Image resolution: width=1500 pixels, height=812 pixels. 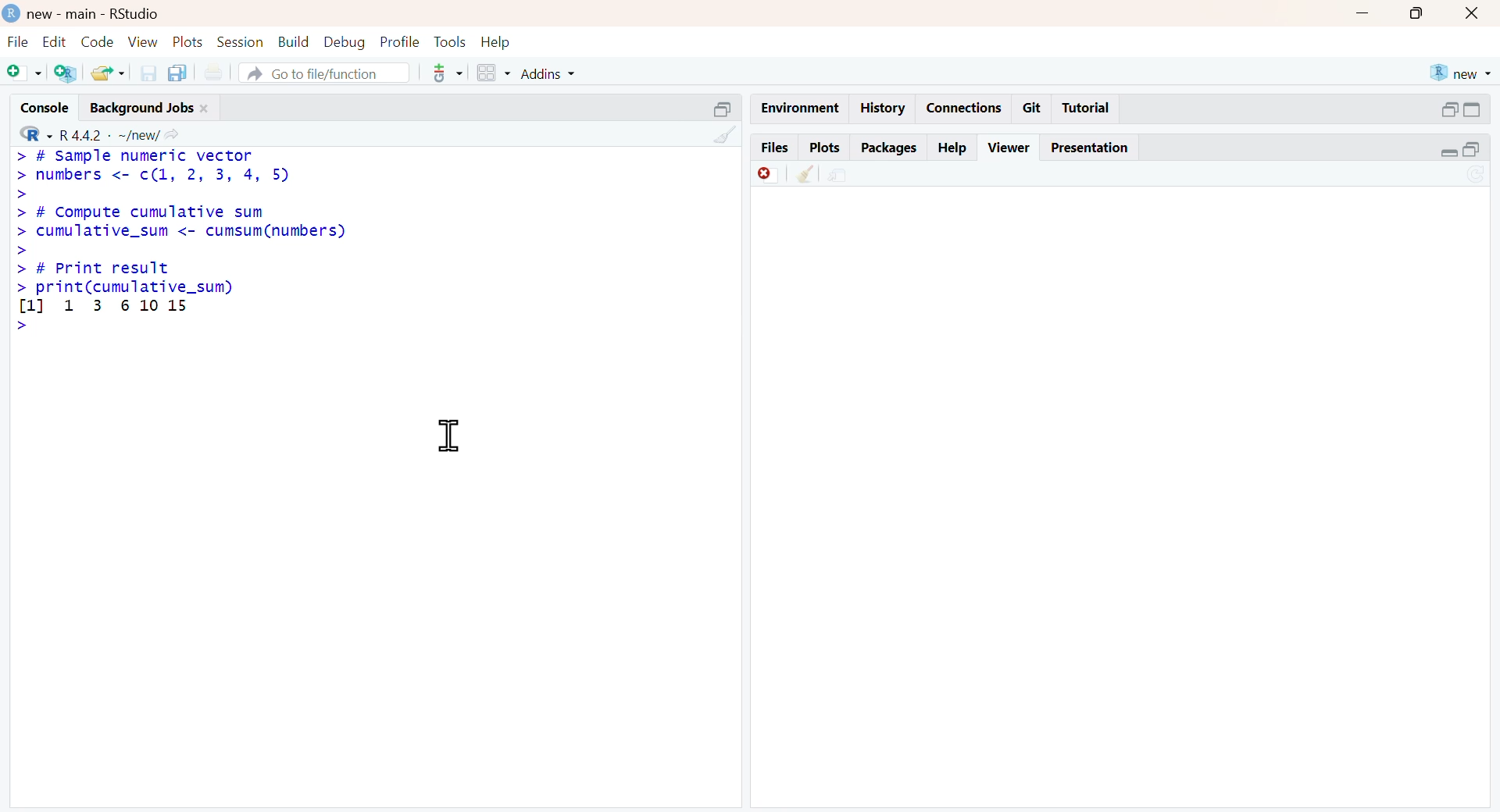 What do you see at coordinates (494, 72) in the screenshot?
I see `grid` at bounding box center [494, 72].